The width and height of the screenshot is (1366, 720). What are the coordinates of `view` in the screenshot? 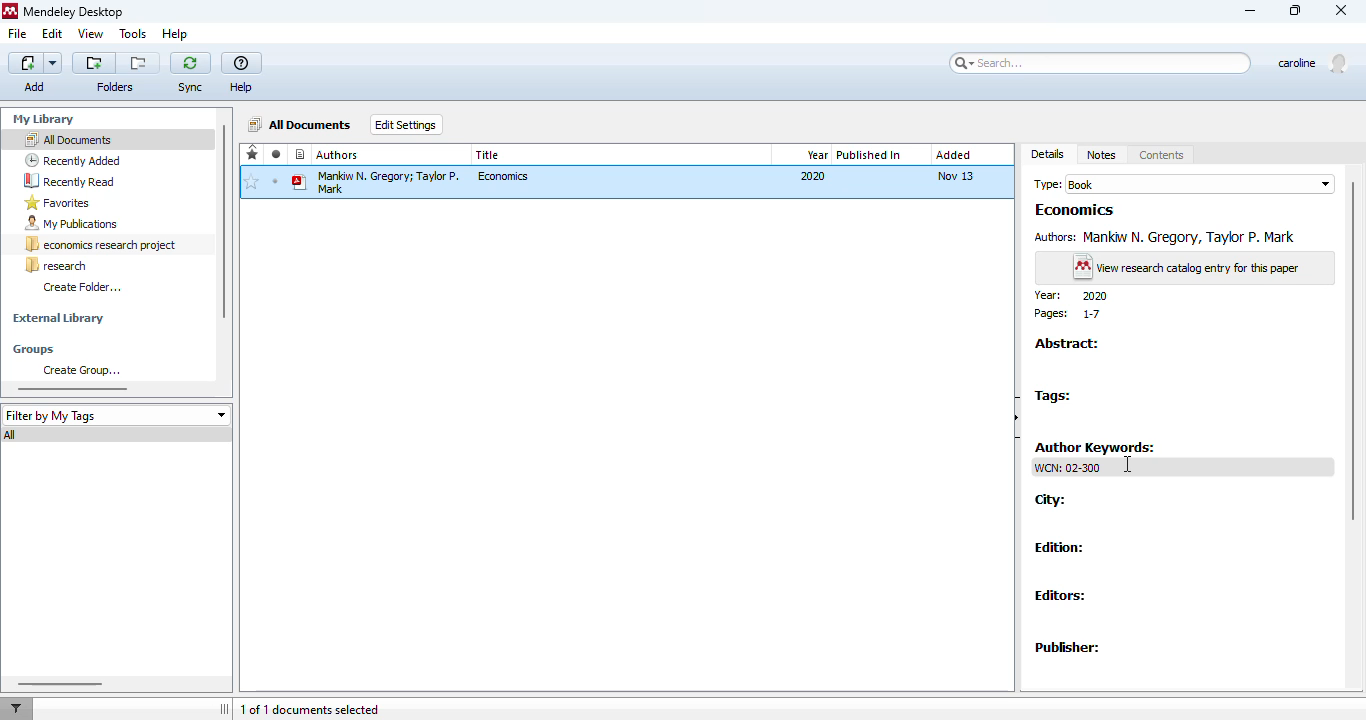 It's located at (92, 34).